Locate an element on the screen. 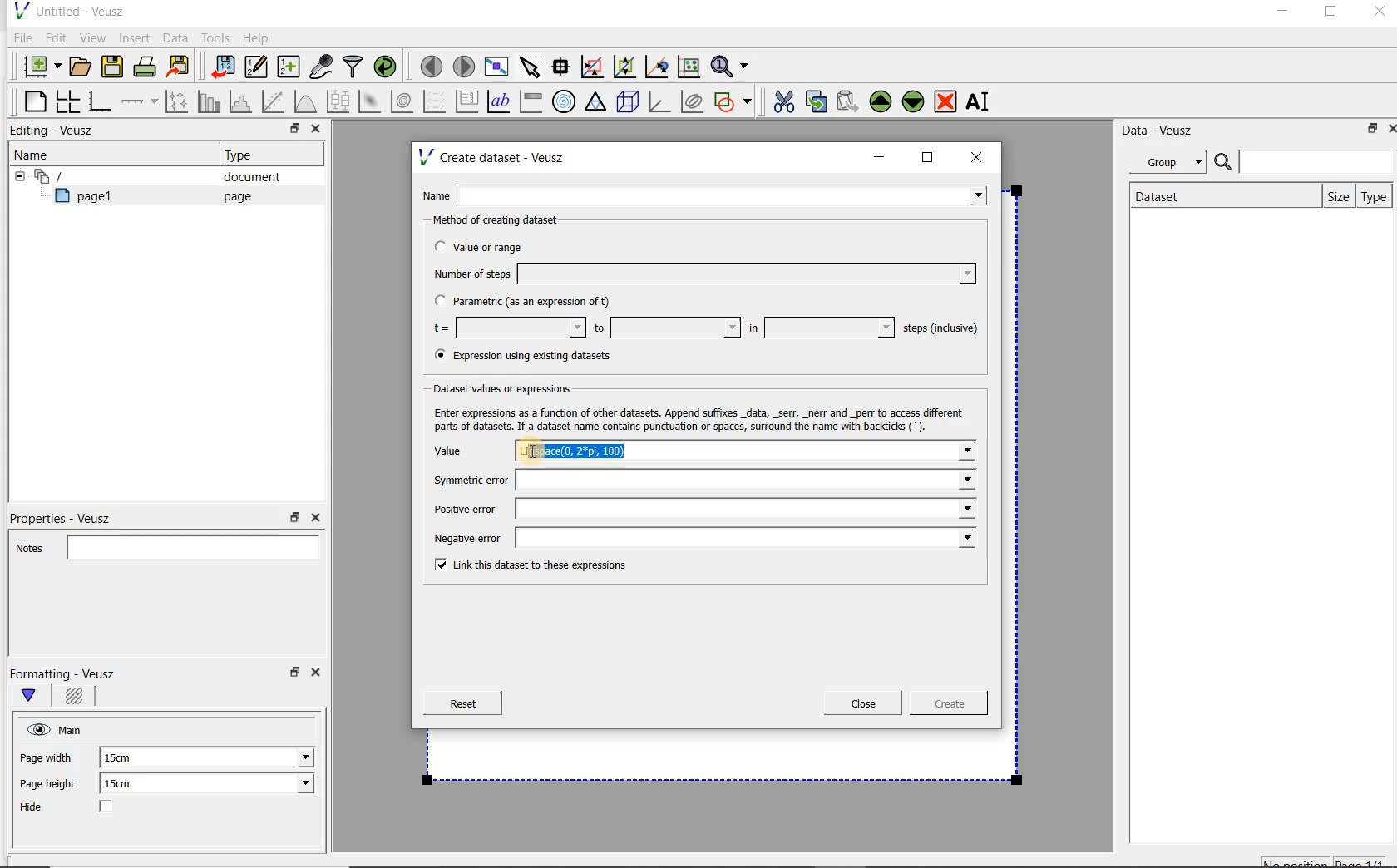 The image size is (1397, 868). Positive error is located at coordinates (698, 509).